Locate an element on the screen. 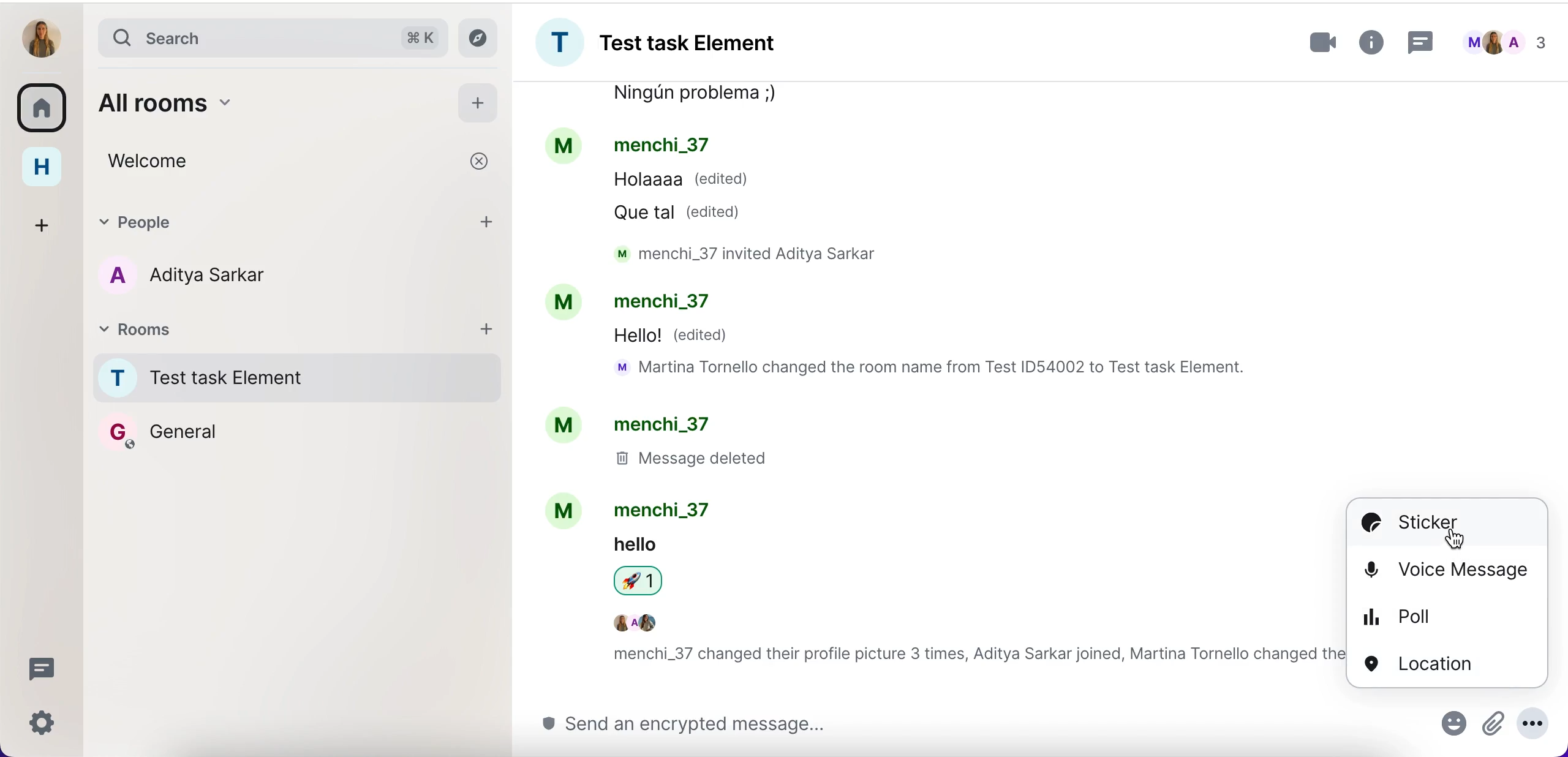  send message is located at coordinates (941, 724).